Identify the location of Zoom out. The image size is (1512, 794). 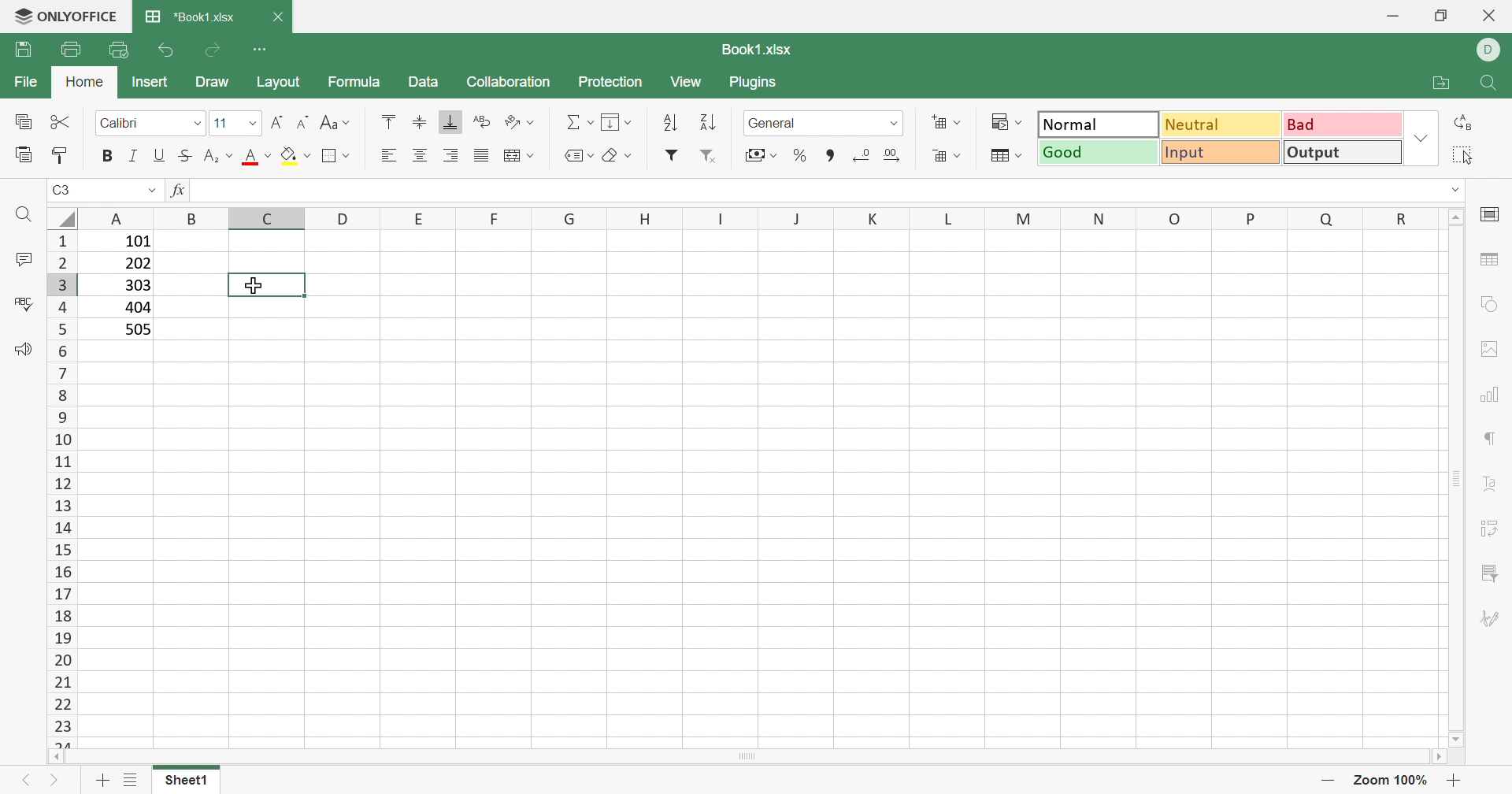
(1325, 780).